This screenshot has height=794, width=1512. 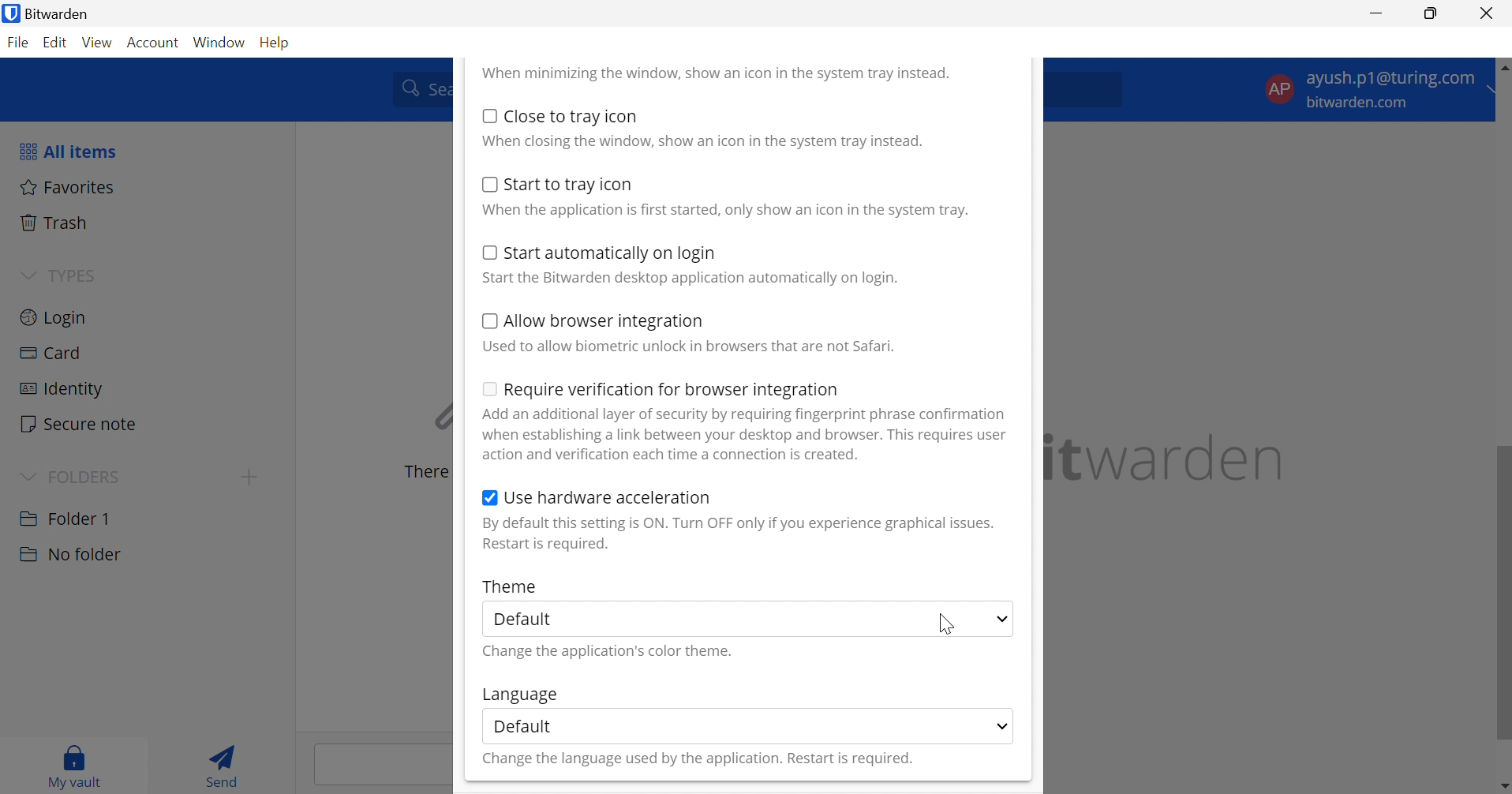 I want to click on Add folder, so click(x=249, y=477).